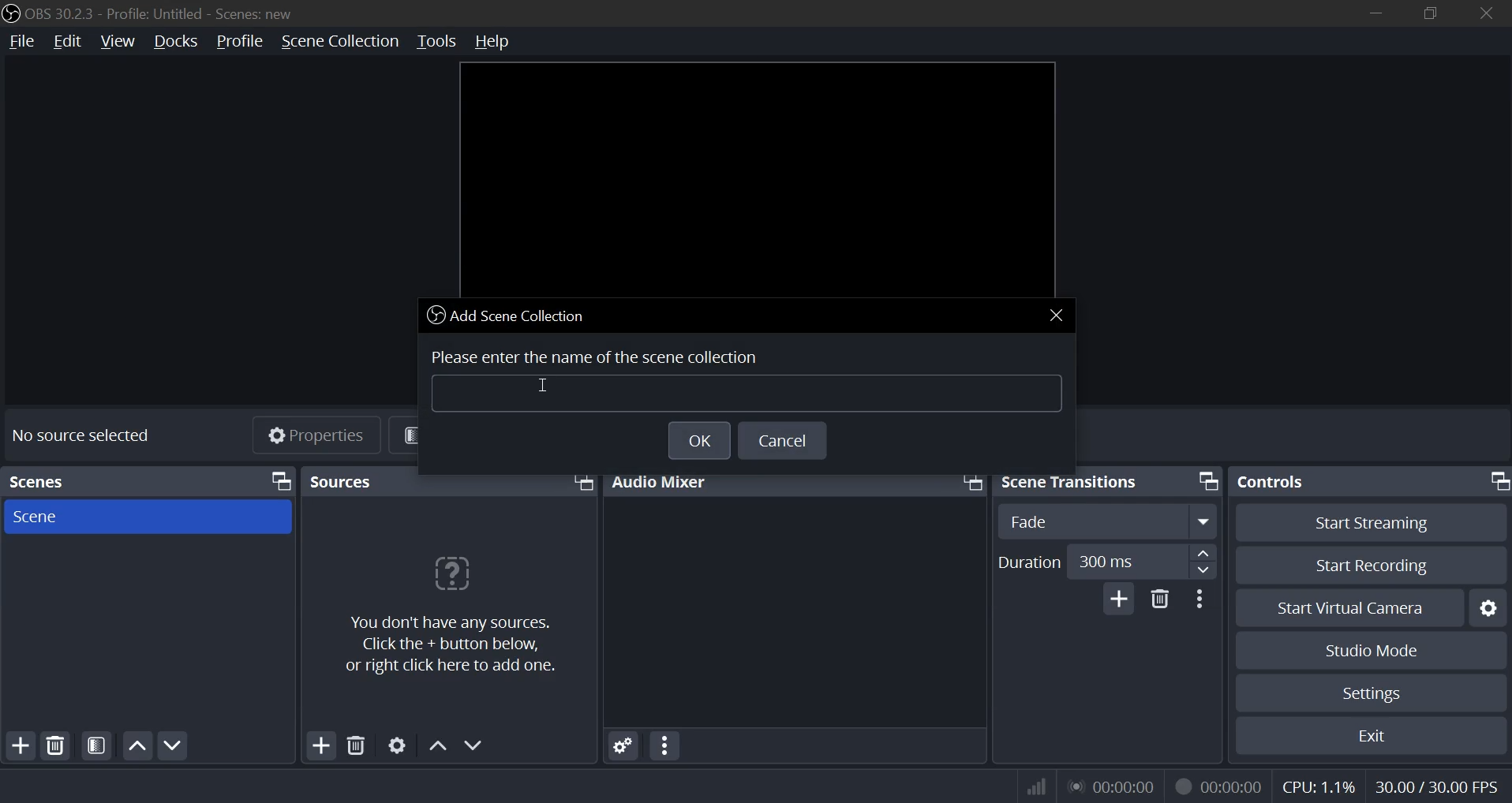 This screenshot has height=803, width=1512. Describe the element at coordinates (1203, 599) in the screenshot. I see `more` at that location.